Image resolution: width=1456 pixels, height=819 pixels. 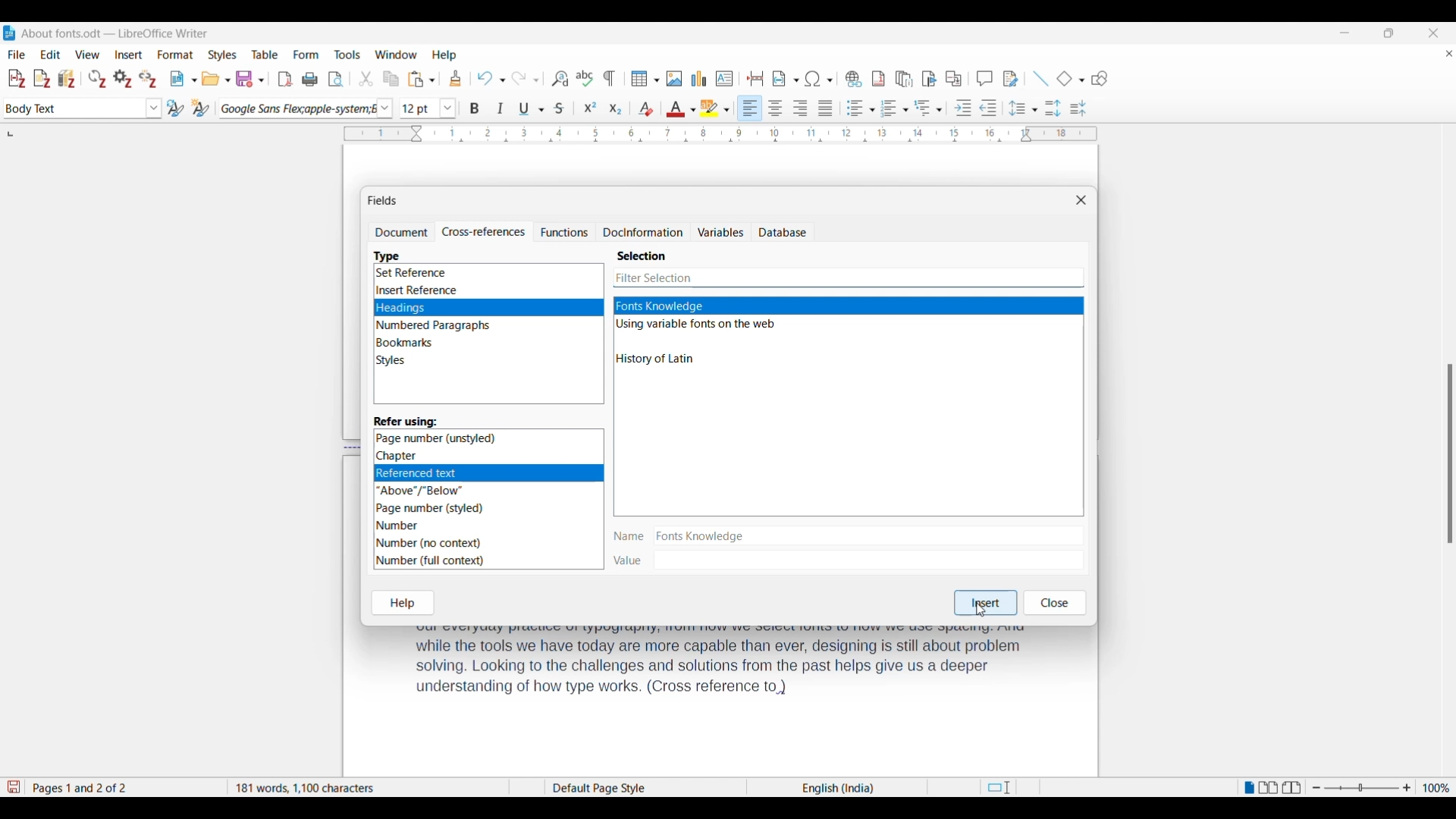 What do you see at coordinates (720, 232) in the screenshot?
I see `Variables` at bounding box center [720, 232].